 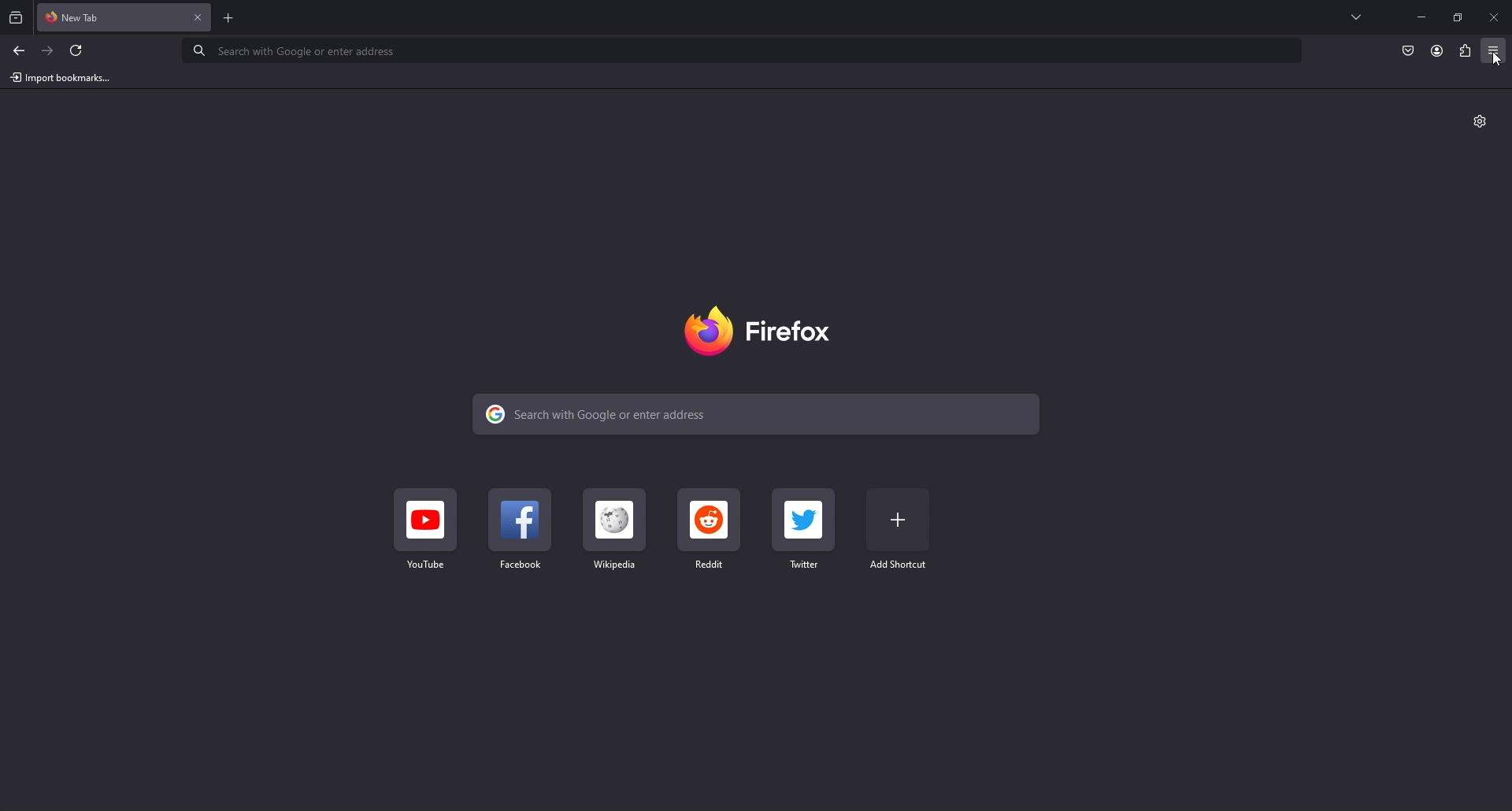 What do you see at coordinates (111, 16) in the screenshot?
I see `new tab` at bounding box center [111, 16].